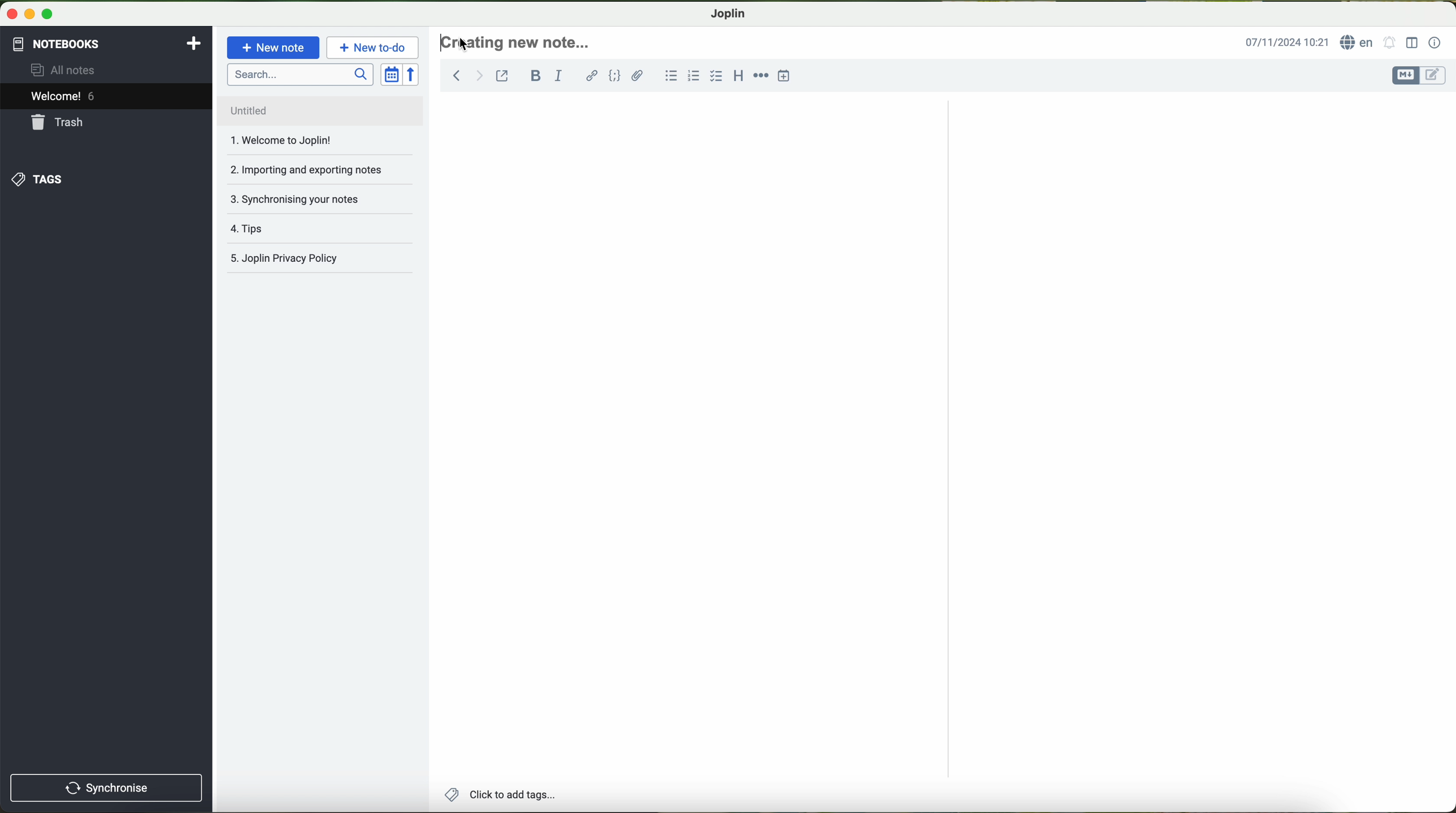 The height and width of the screenshot is (813, 1456). What do you see at coordinates (1390, 42) in the screenshot?
I see `set alarm` at bounding box center [1390, 42].